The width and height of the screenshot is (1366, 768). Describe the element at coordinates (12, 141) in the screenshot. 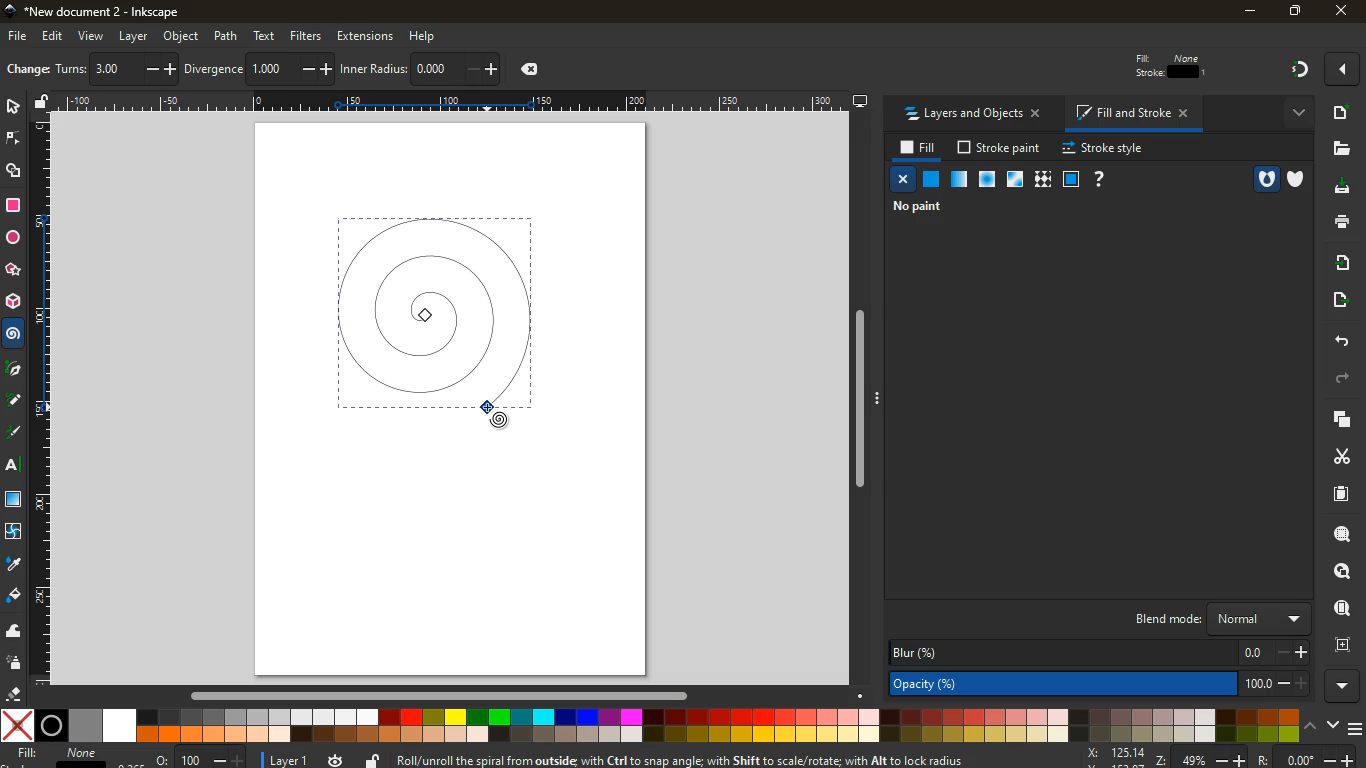

I see `edge` at that location.